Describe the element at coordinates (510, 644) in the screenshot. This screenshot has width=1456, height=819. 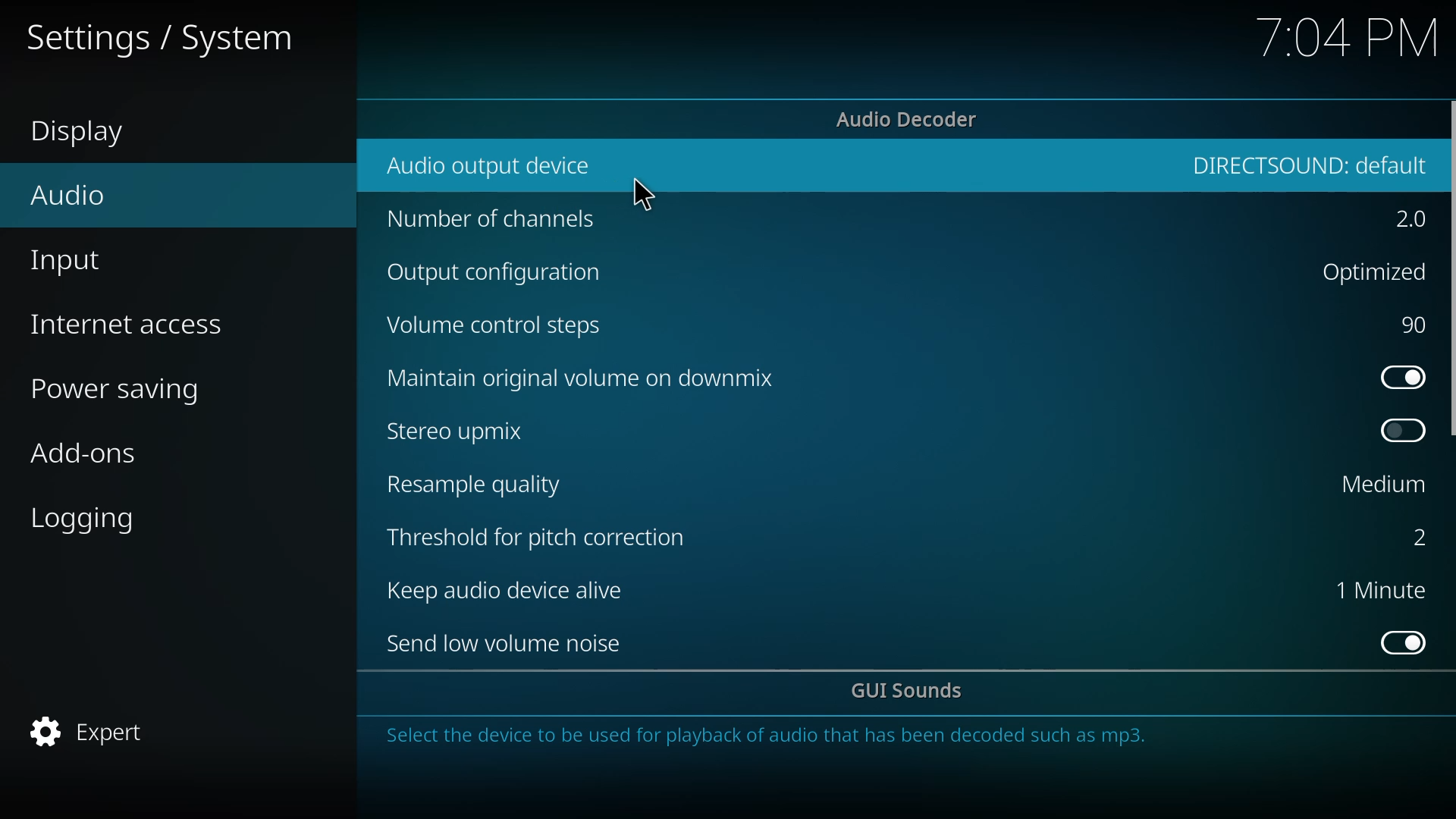
I see `send low volume noise` at that location.